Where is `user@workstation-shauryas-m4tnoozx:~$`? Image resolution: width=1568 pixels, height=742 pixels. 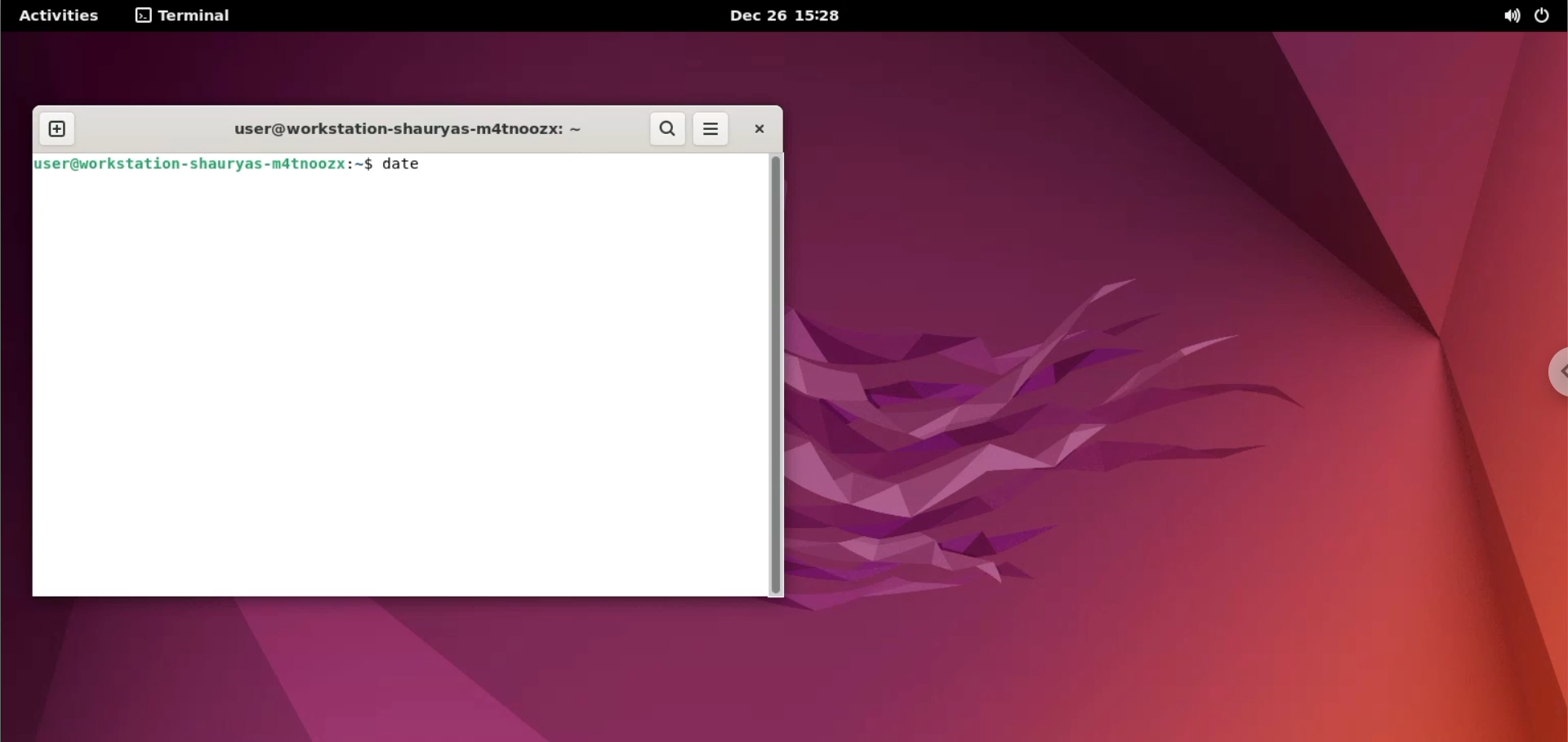 user@workstation-shauryas-m4tnoozx:~$ is located at coordinates (202, 164).